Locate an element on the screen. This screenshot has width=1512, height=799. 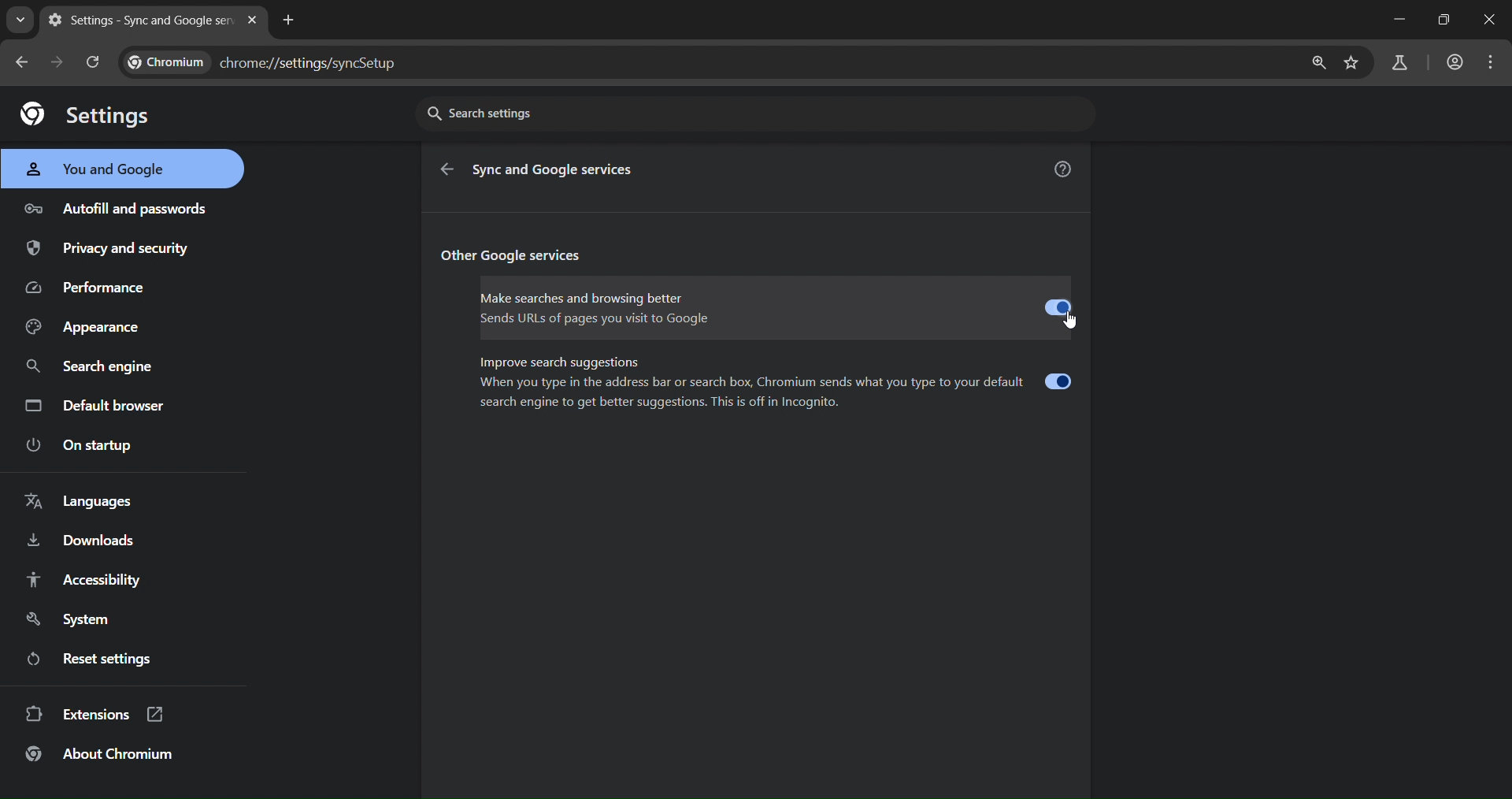
search tab is located at coordinates (20, 21).